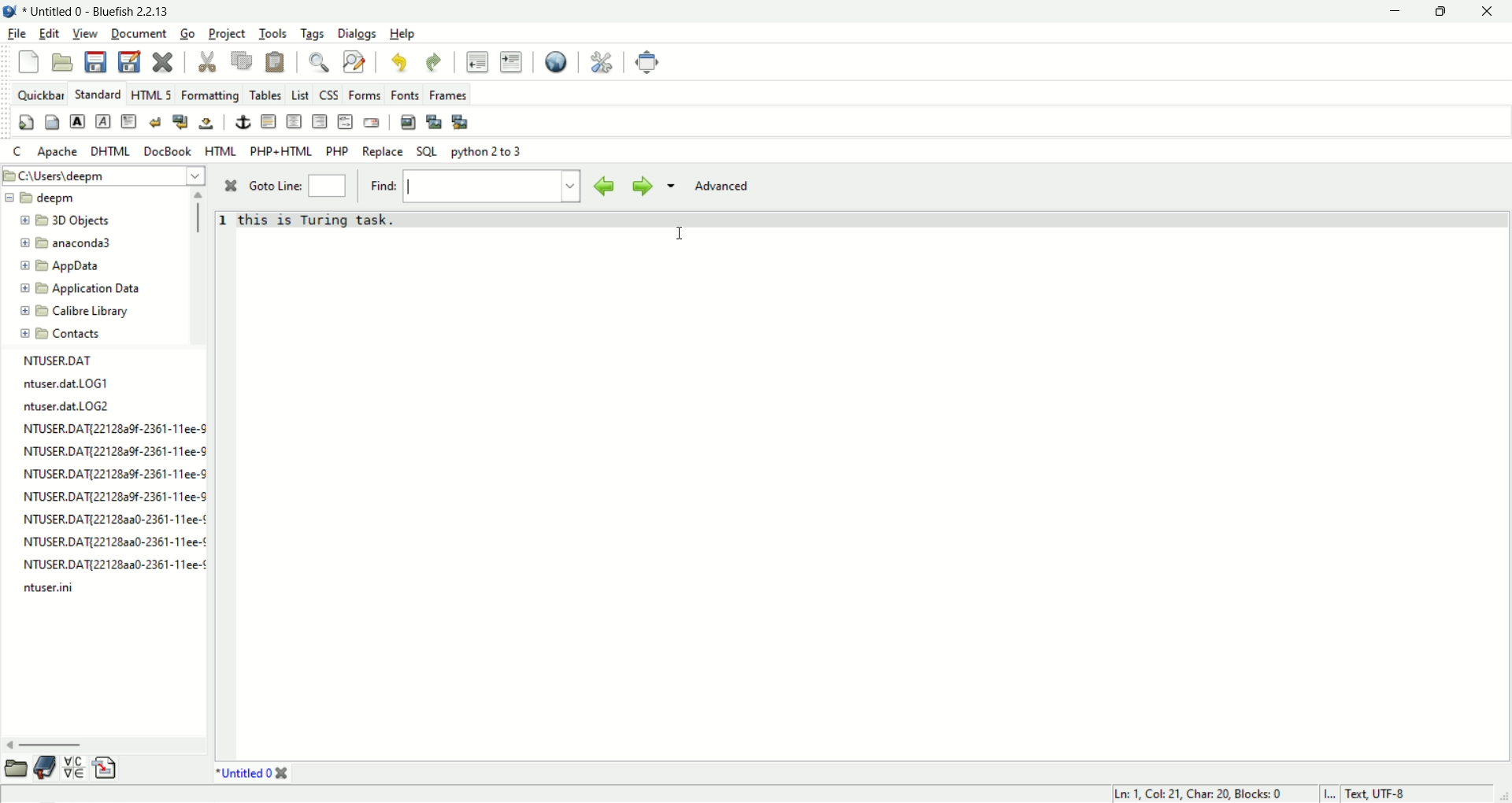 This screenshot has width=1512, height=803. What do you see at coordinates (409, 123) in the screenshot?
I see `insert image` at bounding box center [409, 123].